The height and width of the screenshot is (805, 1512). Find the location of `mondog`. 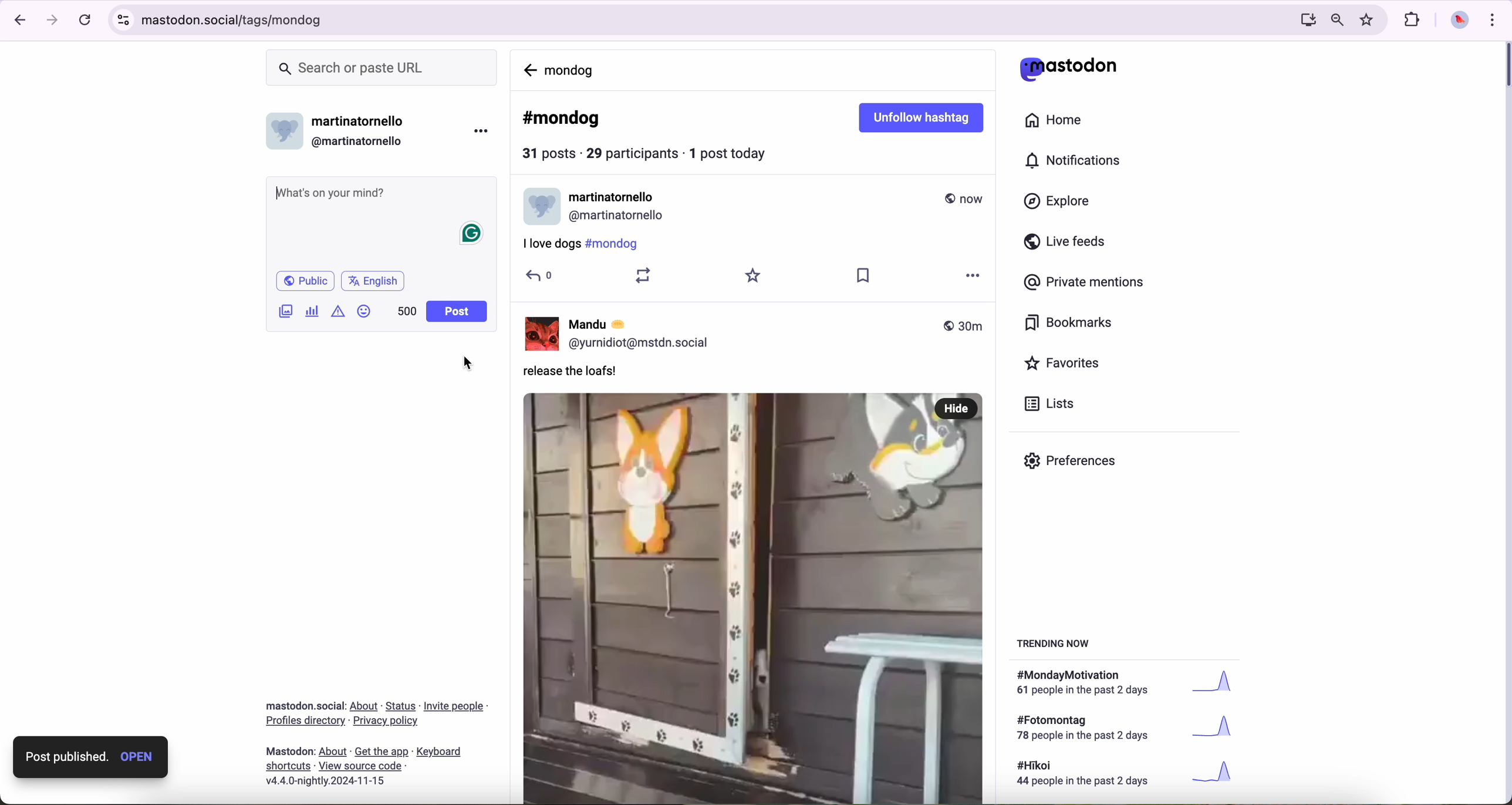

mondog is located at coordinates (572, 69).